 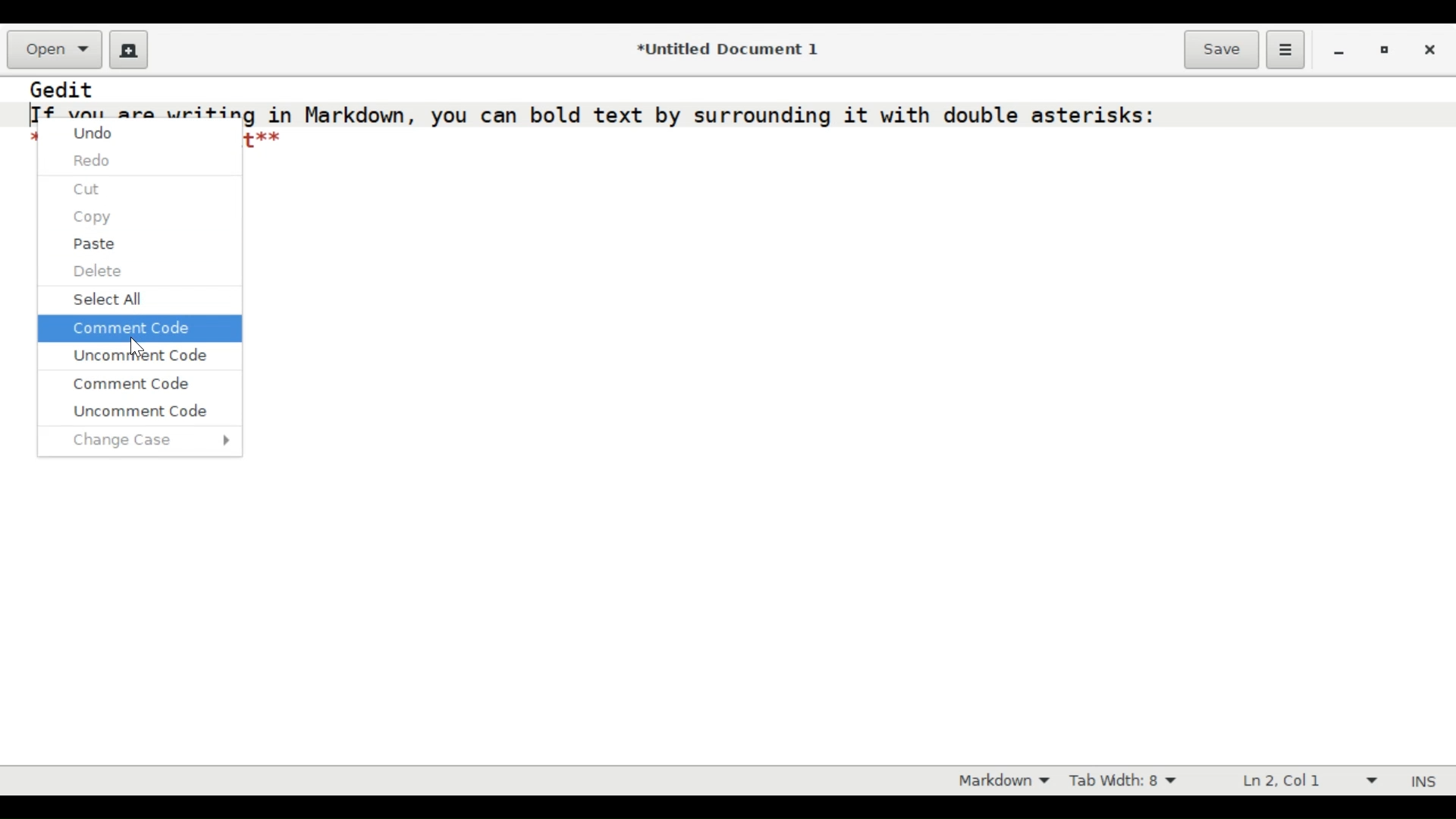 What do you see at coordinates (99, 271) in the screenshot?
I see `Delete` at bounding box center [99, 271].